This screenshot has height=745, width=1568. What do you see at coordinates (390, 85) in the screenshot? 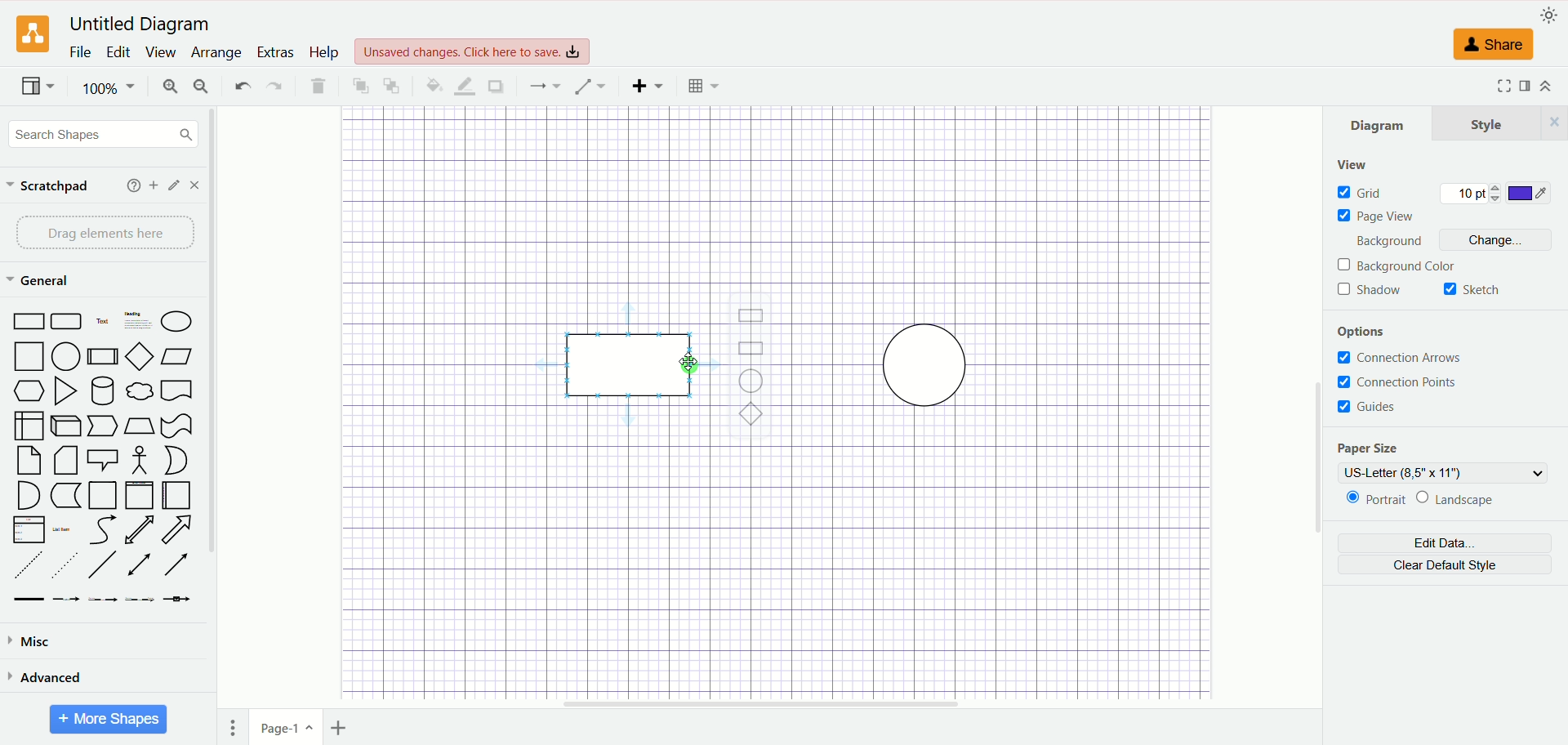
I see `to back` at bounding box center [390, 85].